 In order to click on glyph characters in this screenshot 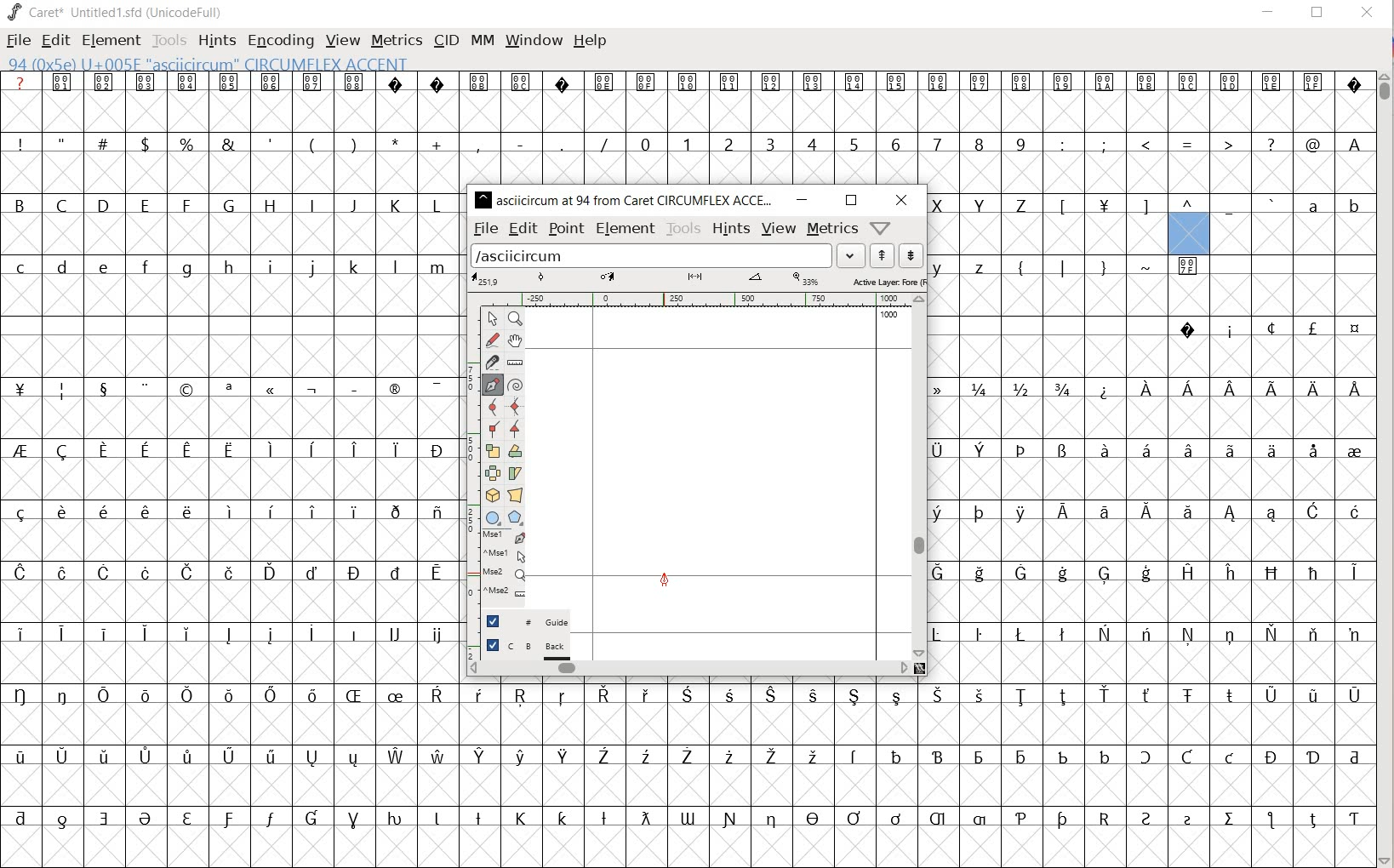, I will do `click(920, 127)`.